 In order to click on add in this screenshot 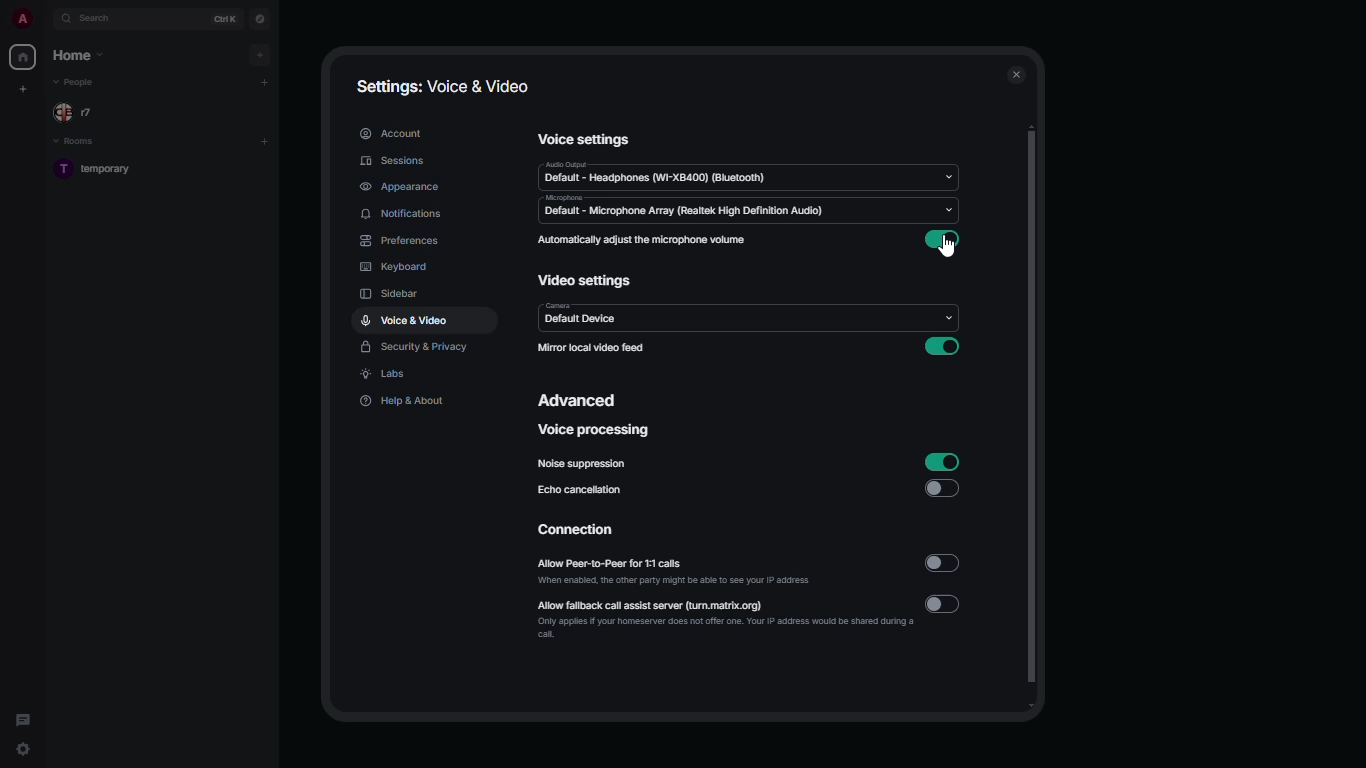, I will do `click(265, 142)`.